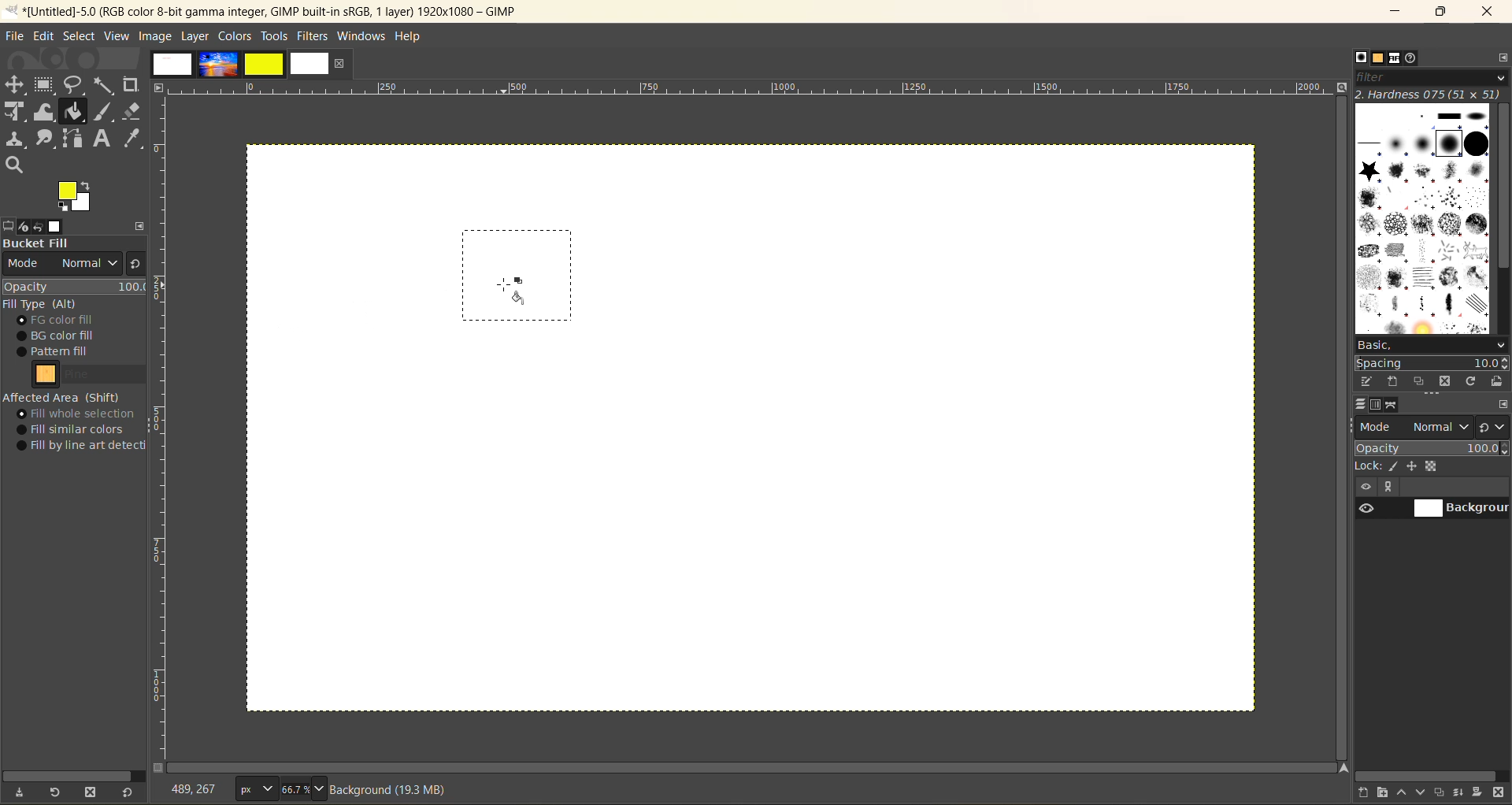 The width and height of the screenshot is (1512, 805). Describe the element at coordinates (1432, 361) in the screenshot. I see `spacing` at that location.